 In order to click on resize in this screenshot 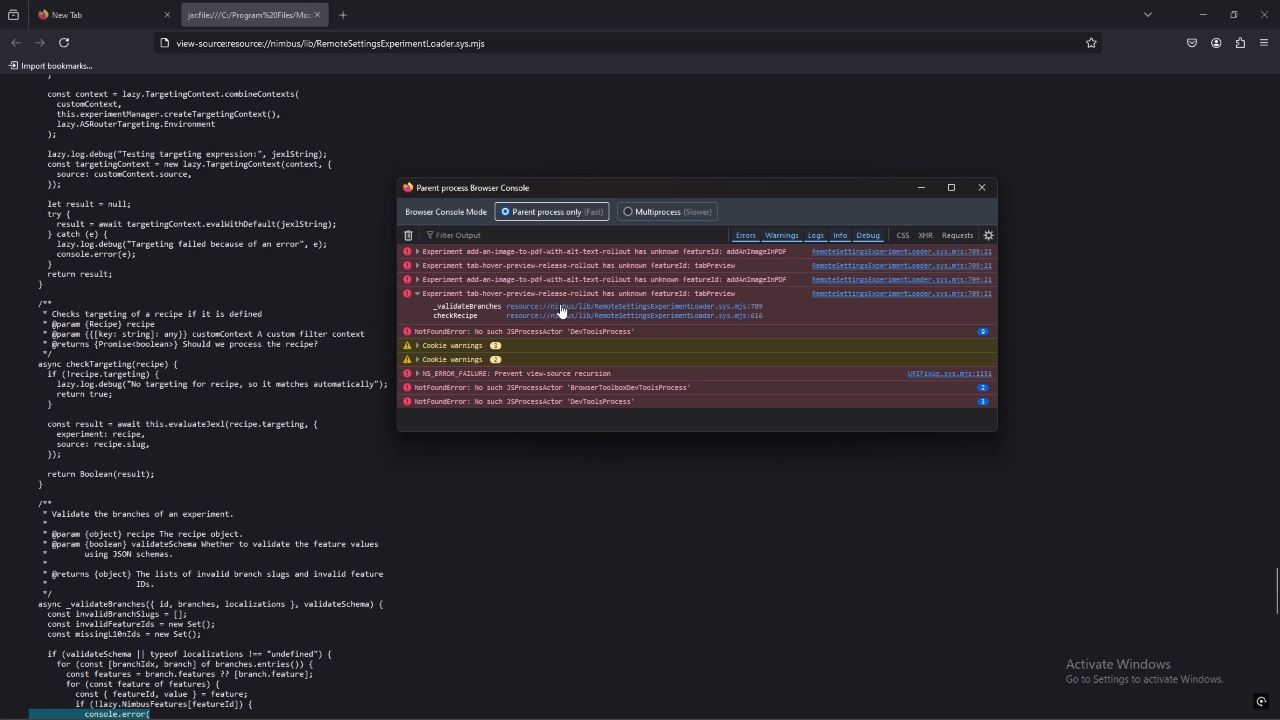, I will do `click(1234, 14)`.